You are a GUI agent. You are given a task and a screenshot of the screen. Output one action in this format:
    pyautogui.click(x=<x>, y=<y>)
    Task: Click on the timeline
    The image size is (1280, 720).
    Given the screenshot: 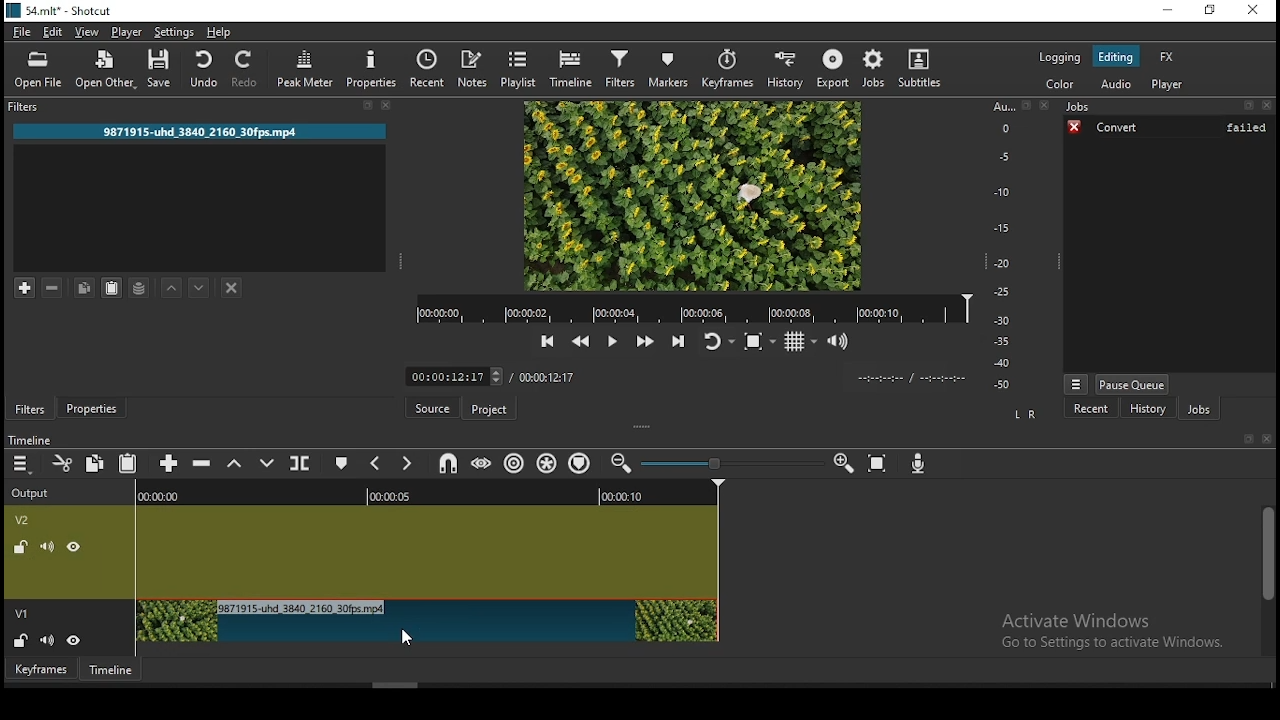 What is the action you would take?
    pyautogui.click(x=111, y=668)
    